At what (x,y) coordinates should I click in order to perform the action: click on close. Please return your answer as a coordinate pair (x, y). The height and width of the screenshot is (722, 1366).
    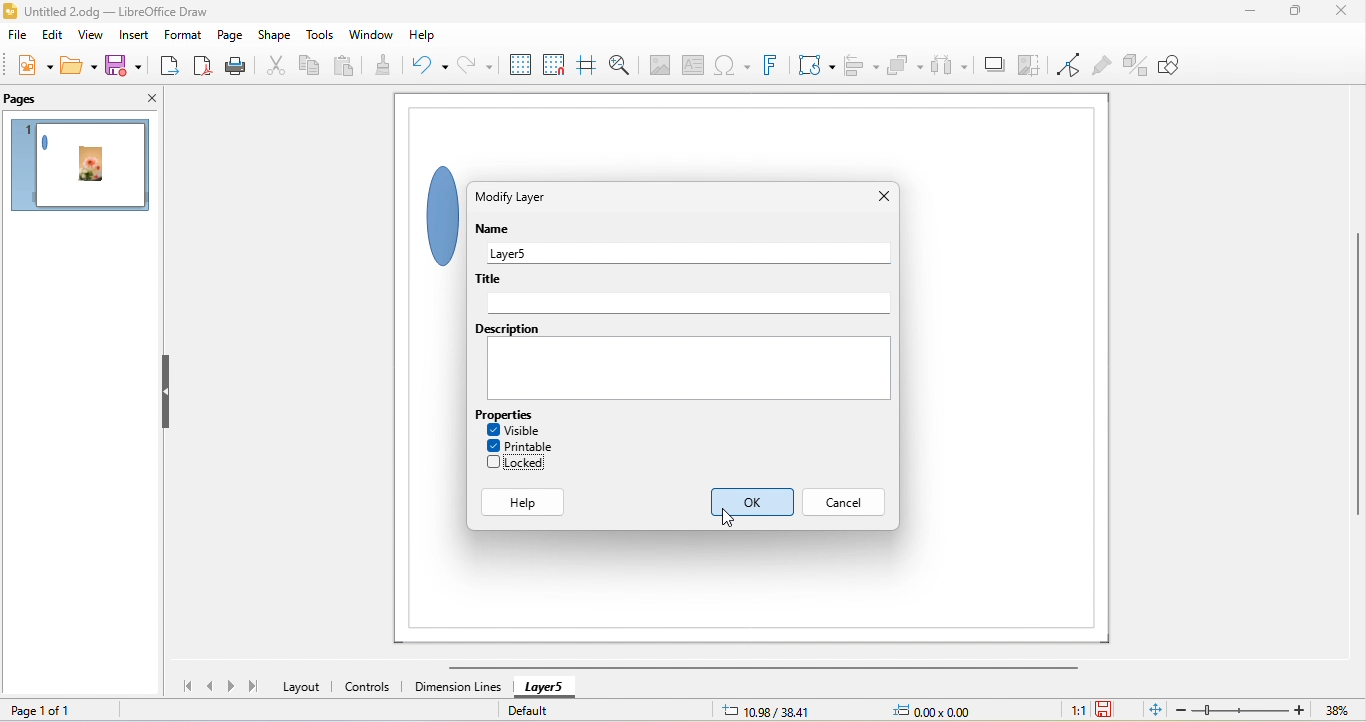
    Looking at the image, I should click on (149, 99).